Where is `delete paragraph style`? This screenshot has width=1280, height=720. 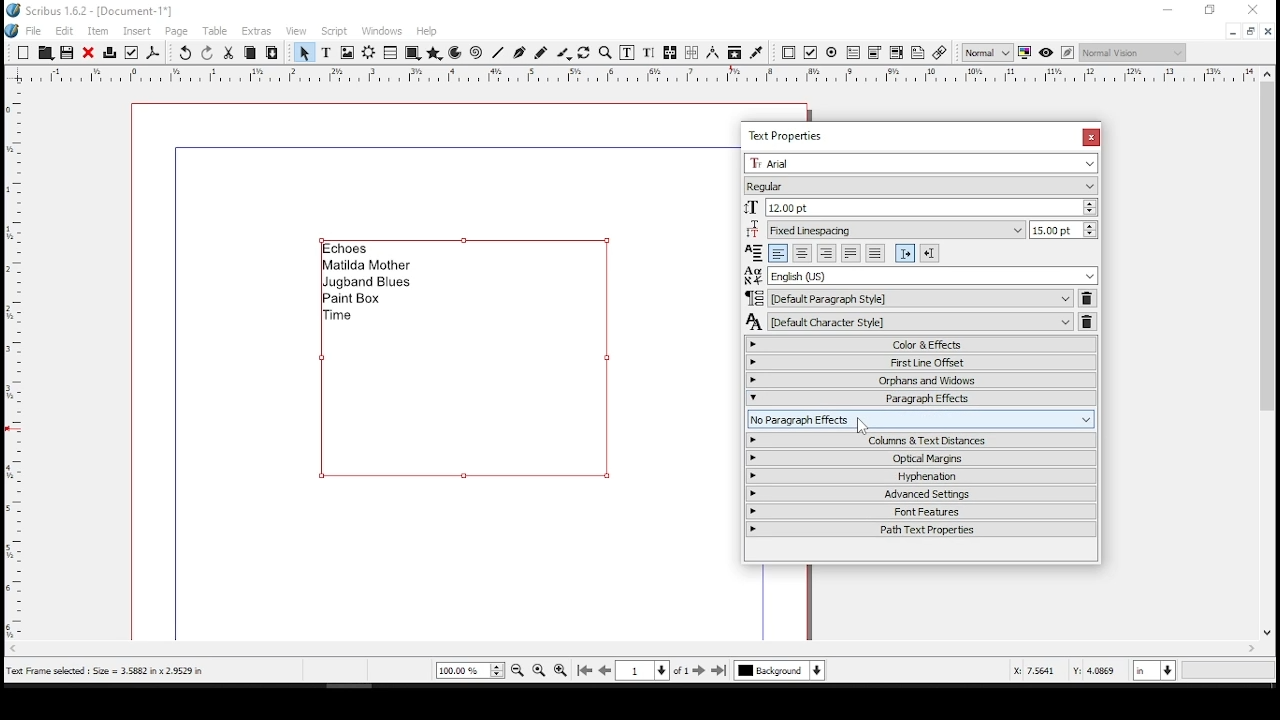 delete paragraph style is located at coordinates (1088, 298).